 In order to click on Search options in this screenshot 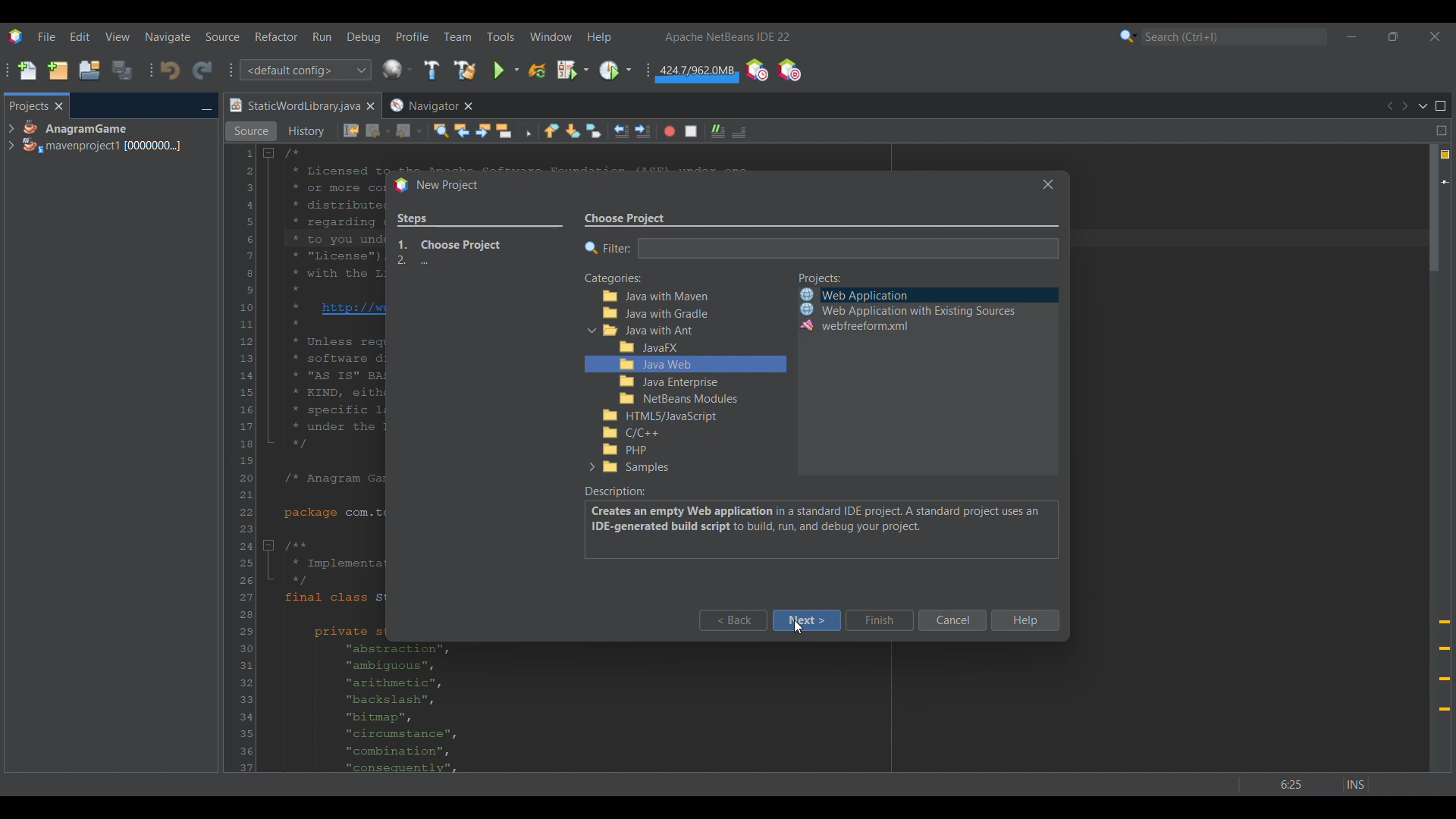, I will do `click(1128, 36)`.